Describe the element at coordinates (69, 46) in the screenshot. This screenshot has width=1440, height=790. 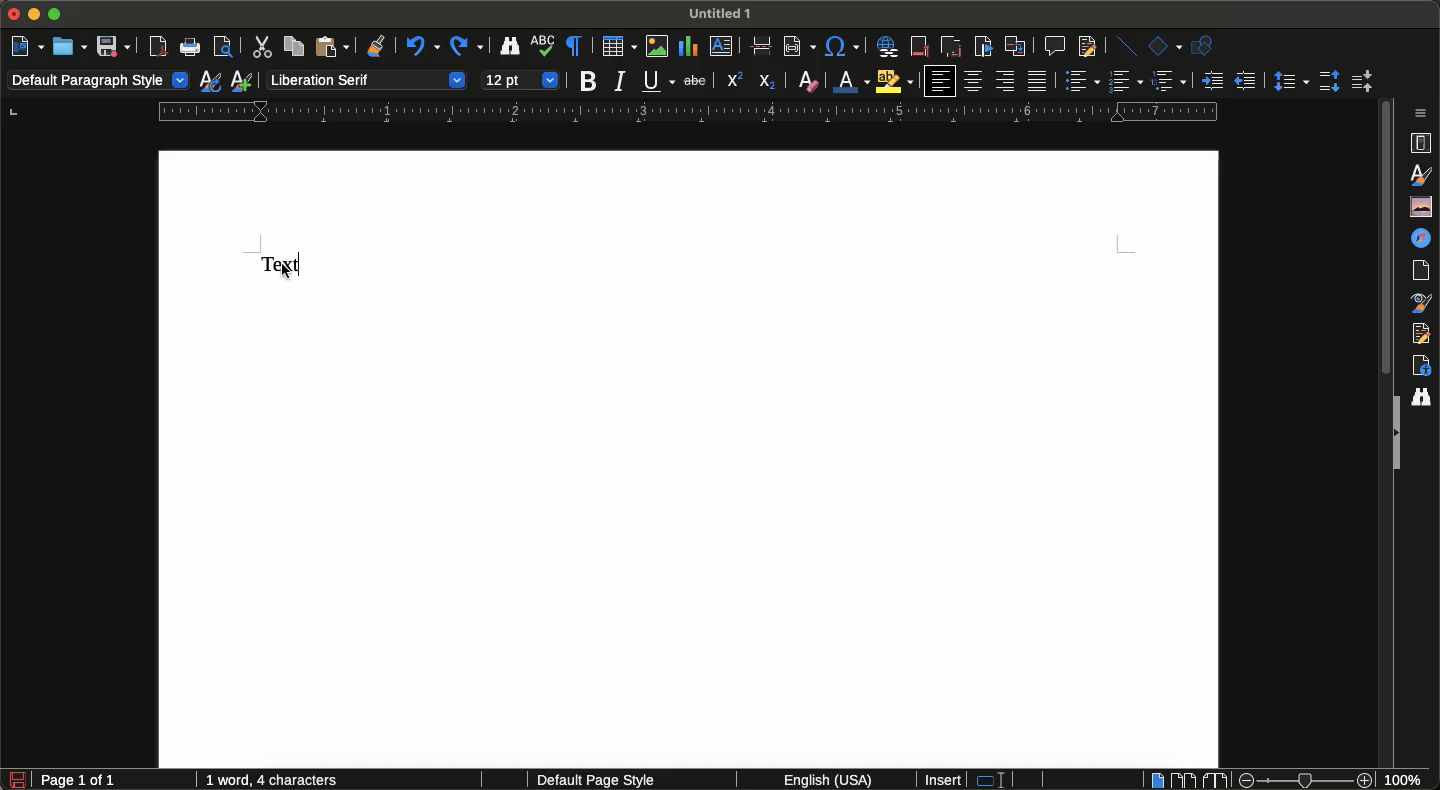
I see `Open` at that location.